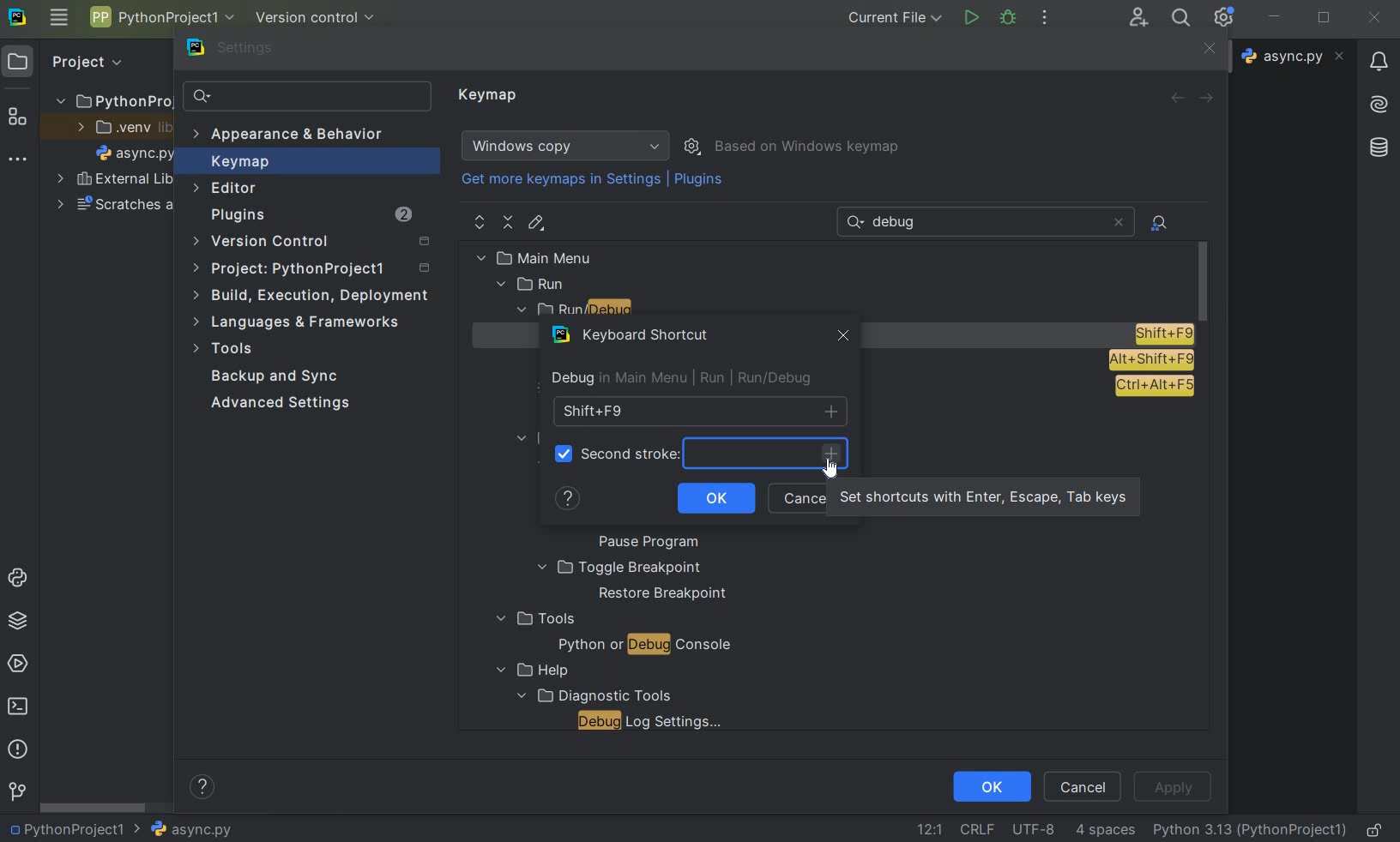 The height and width of the screenshot is (842, 1400). I want to click on version control, so click(17, 792).